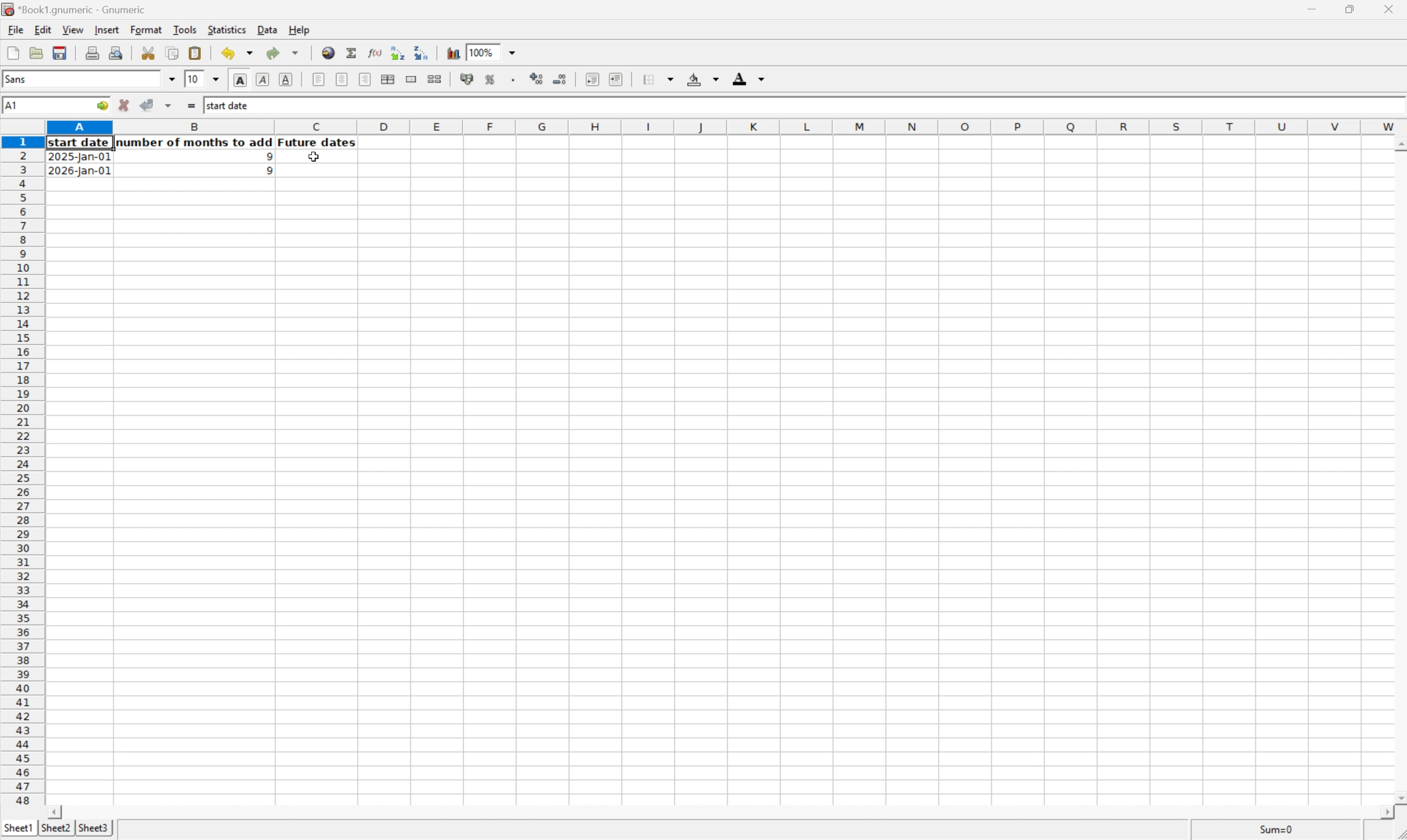 This screenshot has width=1407, height=840. I want to click on Column names, so click(726, 127).